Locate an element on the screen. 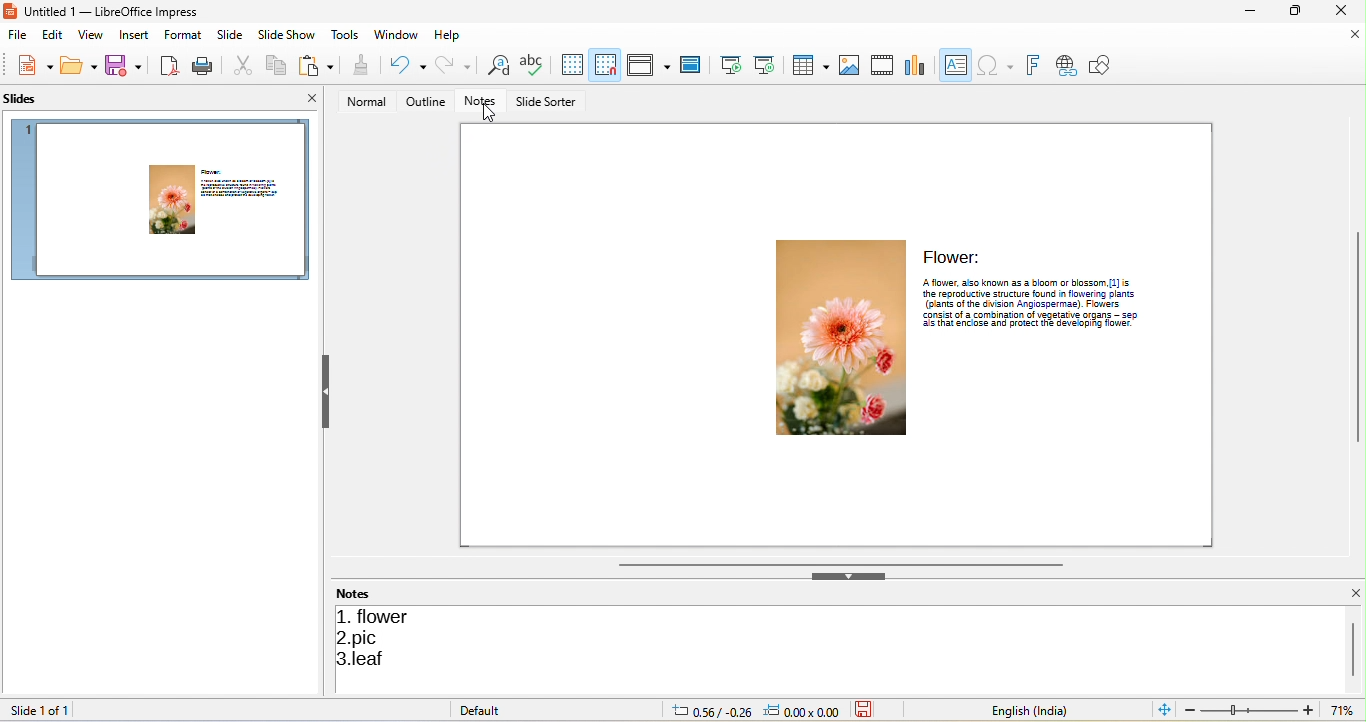 The height and width of the screenshot is (722, 1366). chart is located at coordinates (912, 64).